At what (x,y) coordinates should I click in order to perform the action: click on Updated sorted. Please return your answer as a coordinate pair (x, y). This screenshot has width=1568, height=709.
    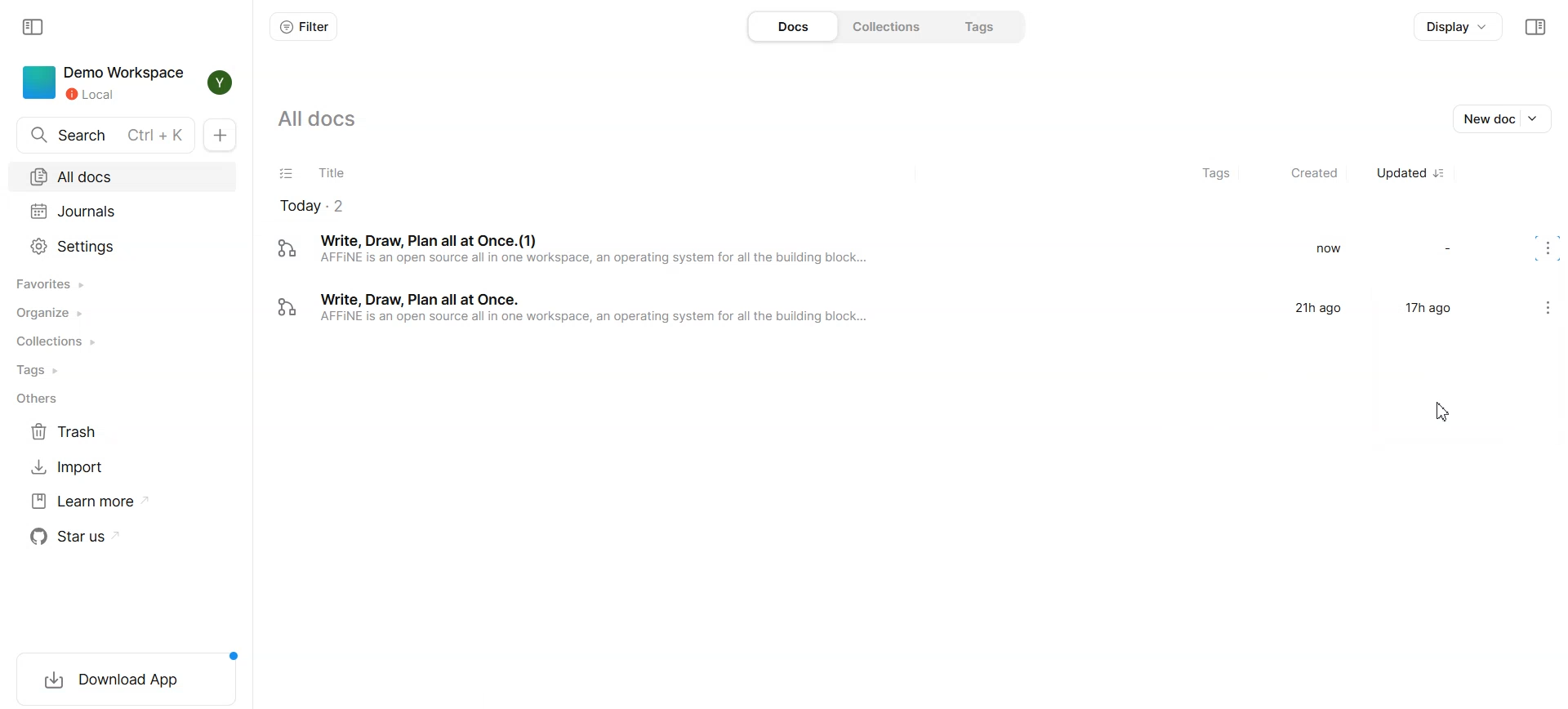
    Looking at the image, I should click on (1414, 172).